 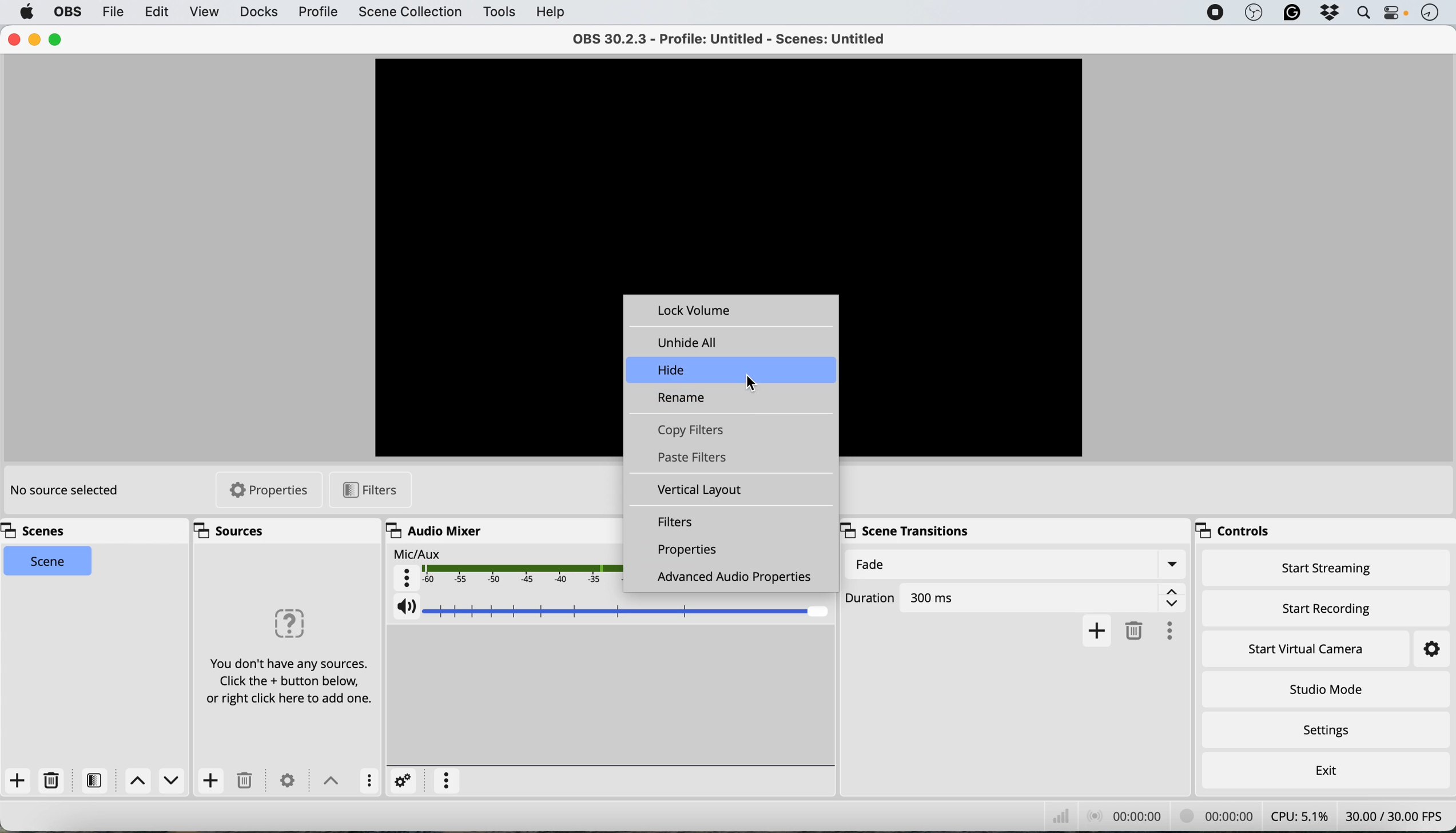 What do you see at coordinates (1336, 732) in the screenshot?
I see `settings` at bounding box center [1336, 732].